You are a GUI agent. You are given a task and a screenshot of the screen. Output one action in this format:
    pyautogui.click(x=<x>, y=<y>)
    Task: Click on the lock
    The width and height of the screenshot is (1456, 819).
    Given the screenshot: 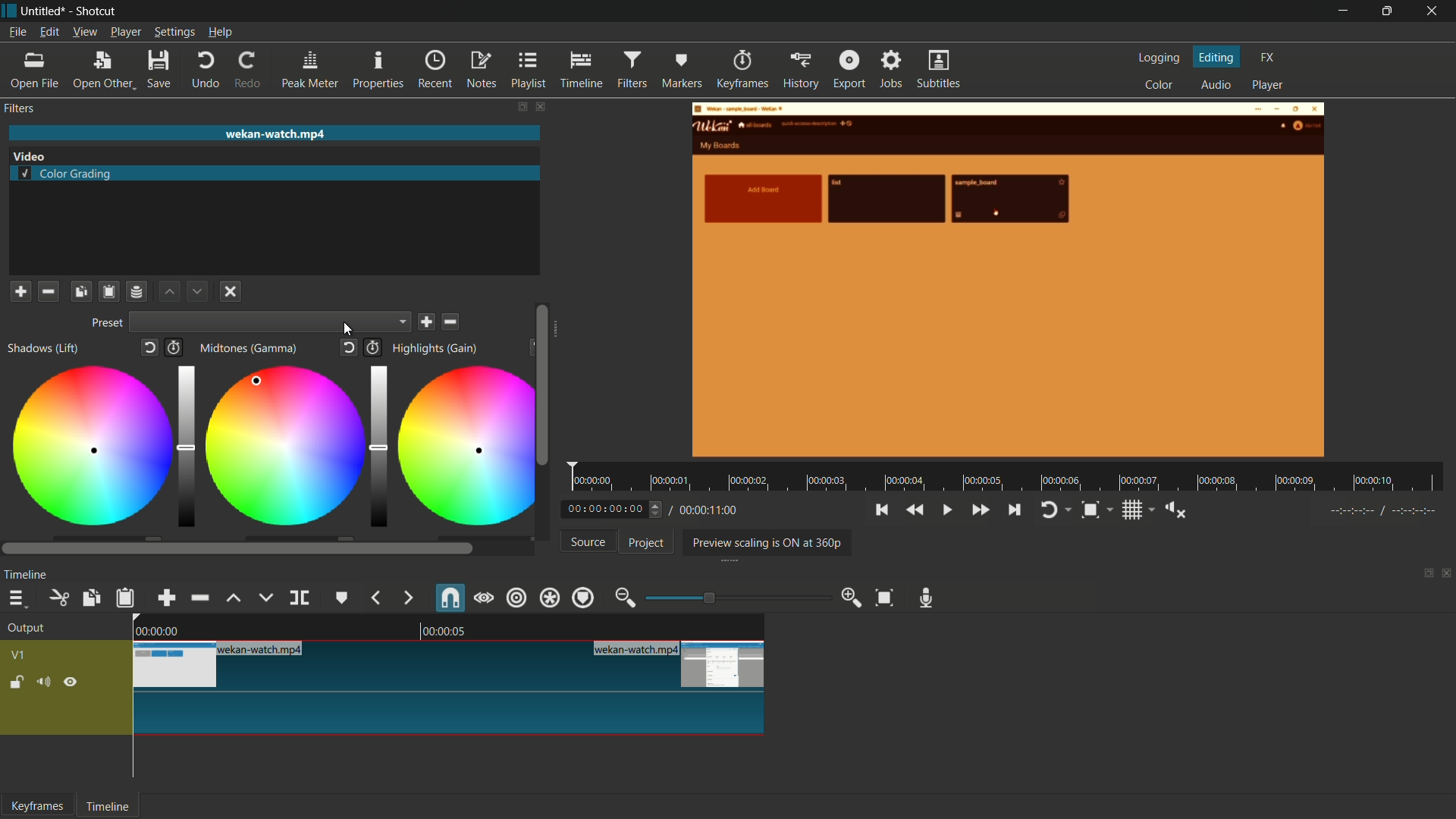 What is the action you would take?
    pyautogui.click(x=17, y=684)
    